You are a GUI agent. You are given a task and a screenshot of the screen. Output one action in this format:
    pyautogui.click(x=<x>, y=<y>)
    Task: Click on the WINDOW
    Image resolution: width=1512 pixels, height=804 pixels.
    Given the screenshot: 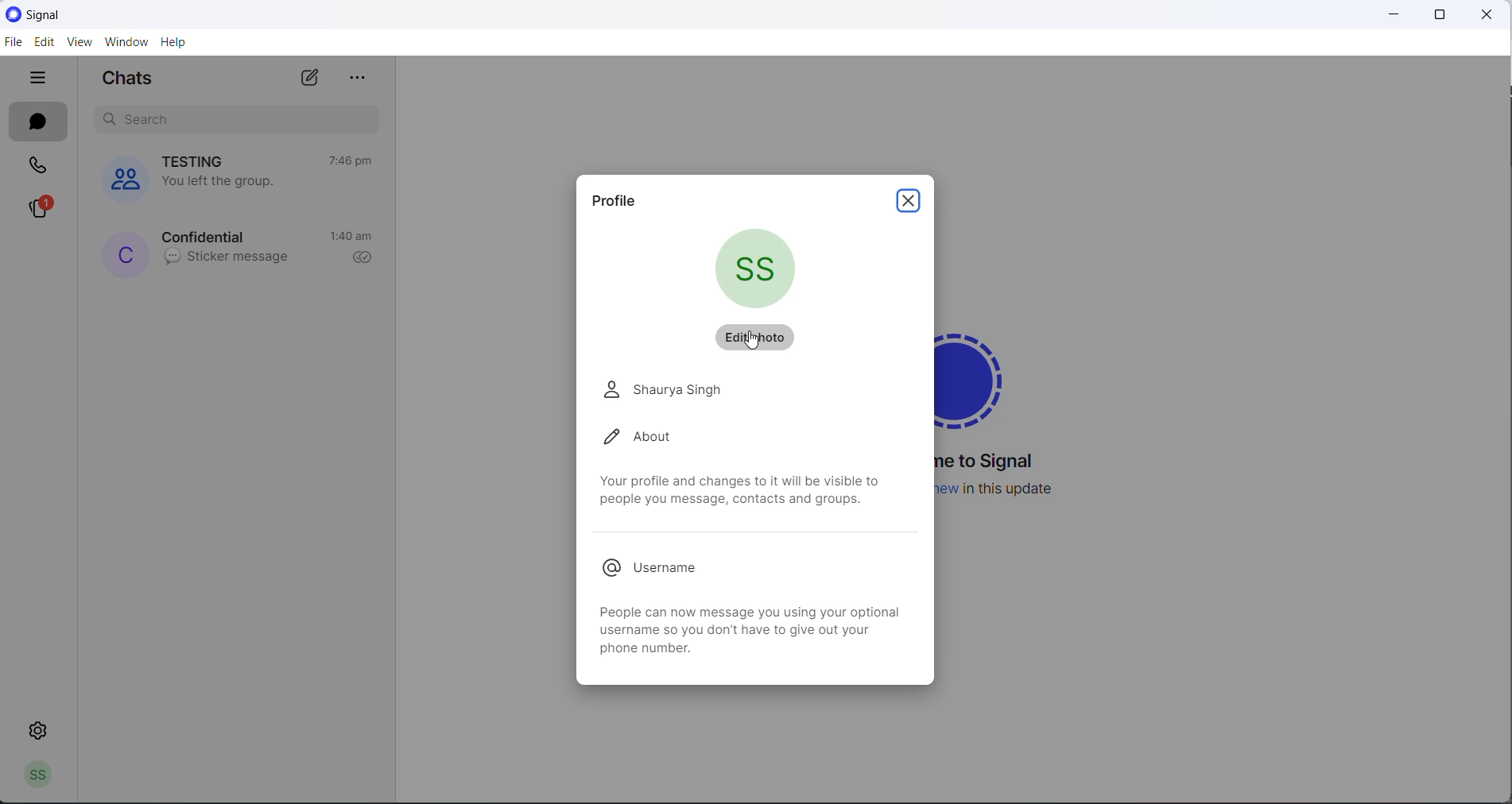 What is the action you would take?
    pyautogui.click(x=126, y=42)
    